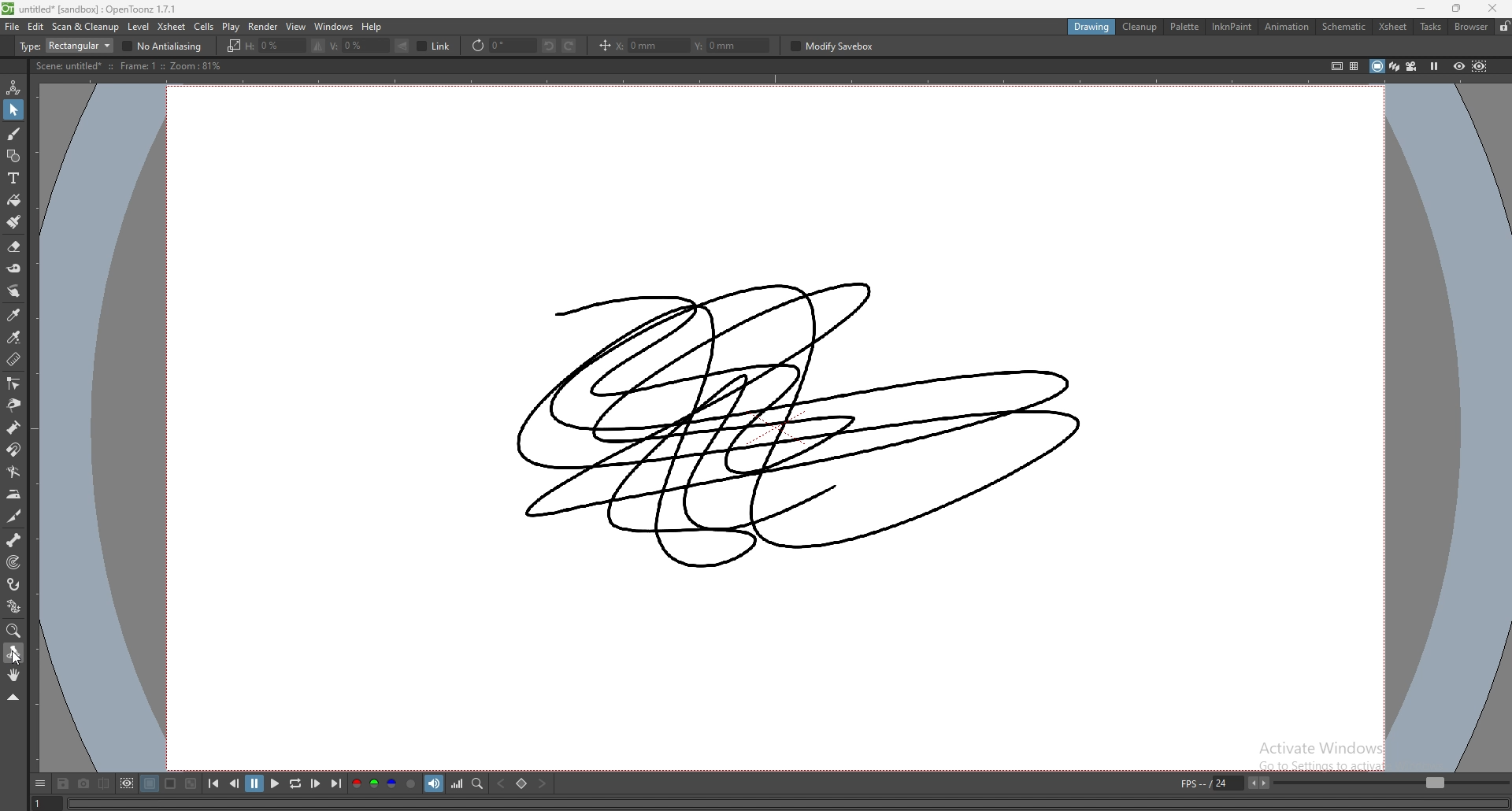  I want to click on scan and cleanup, so click(85, 27).